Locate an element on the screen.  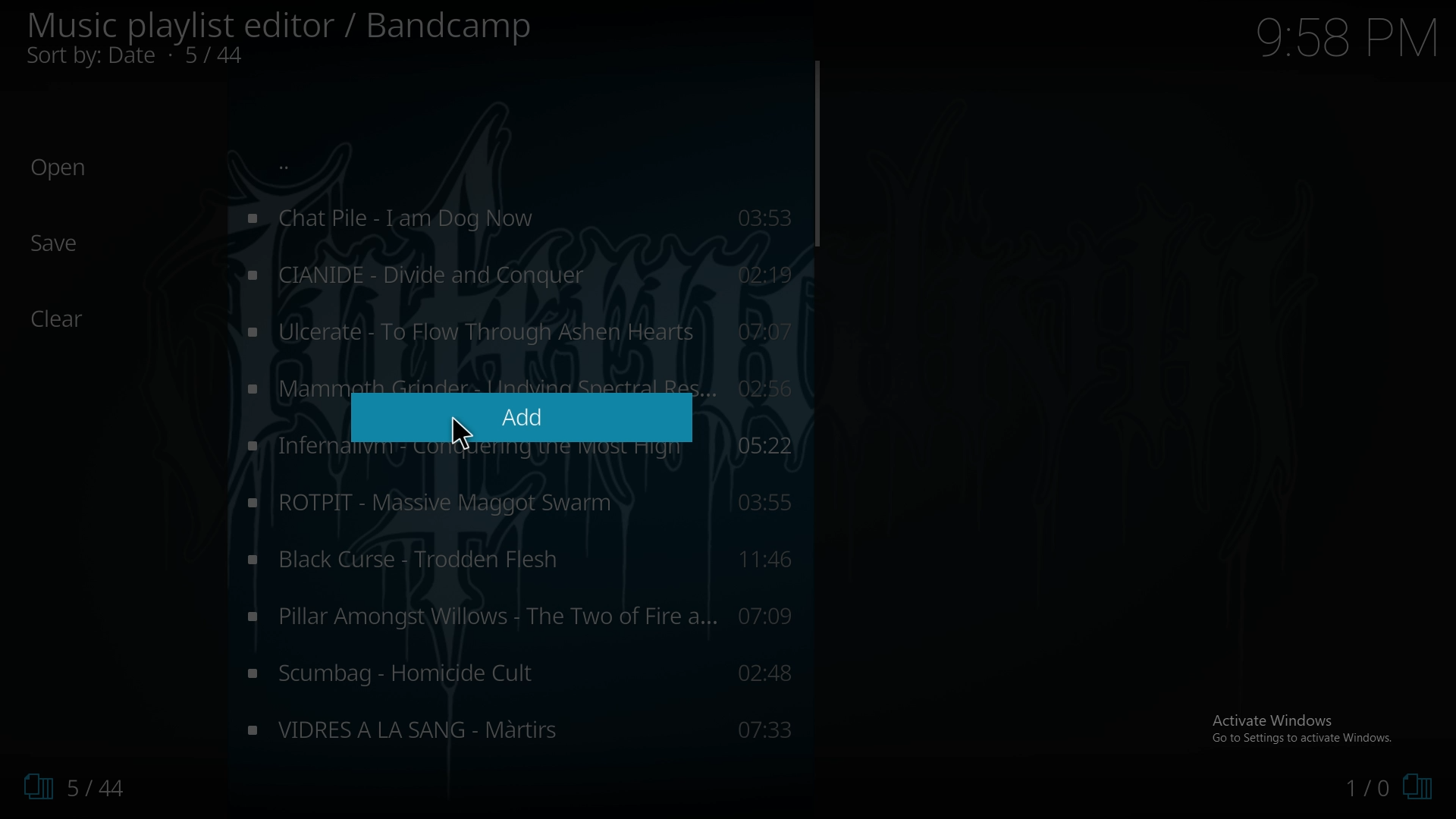
music is located at coordinates (521, 616).